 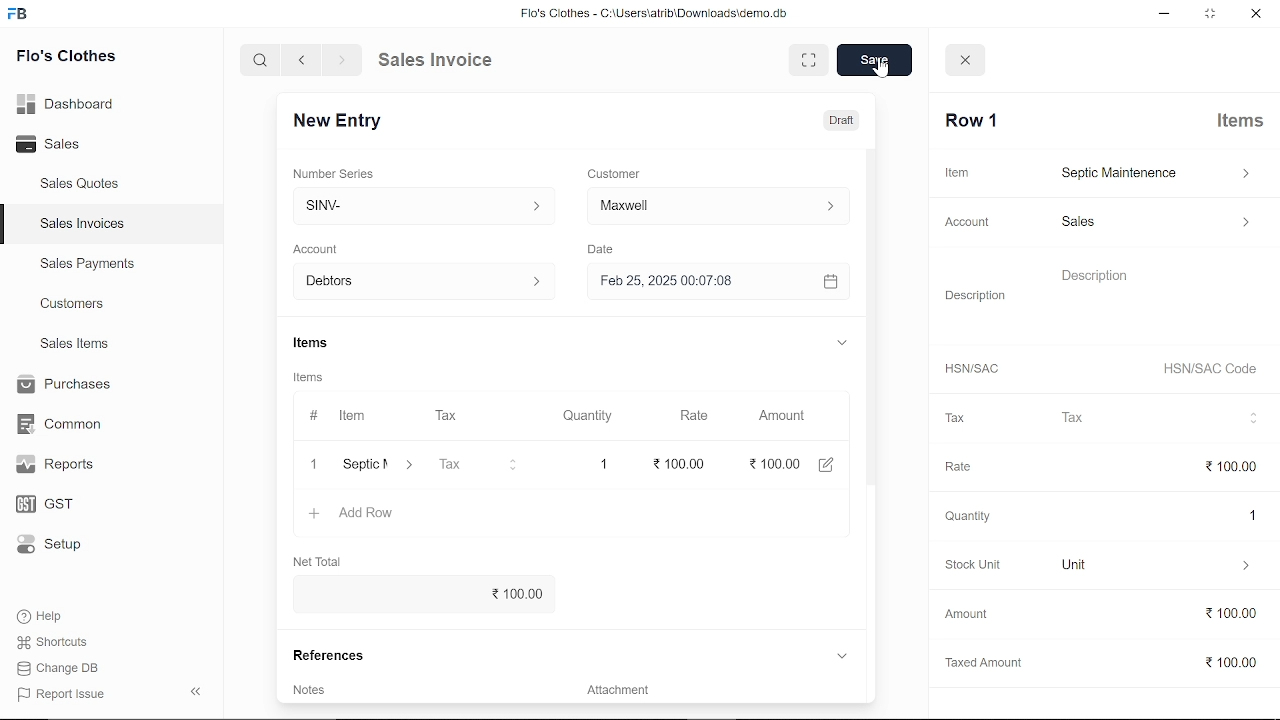 What do you see at coordinates (1158, 566) in the screenshot?
I see `unit` at bounding box center [1158, 566].